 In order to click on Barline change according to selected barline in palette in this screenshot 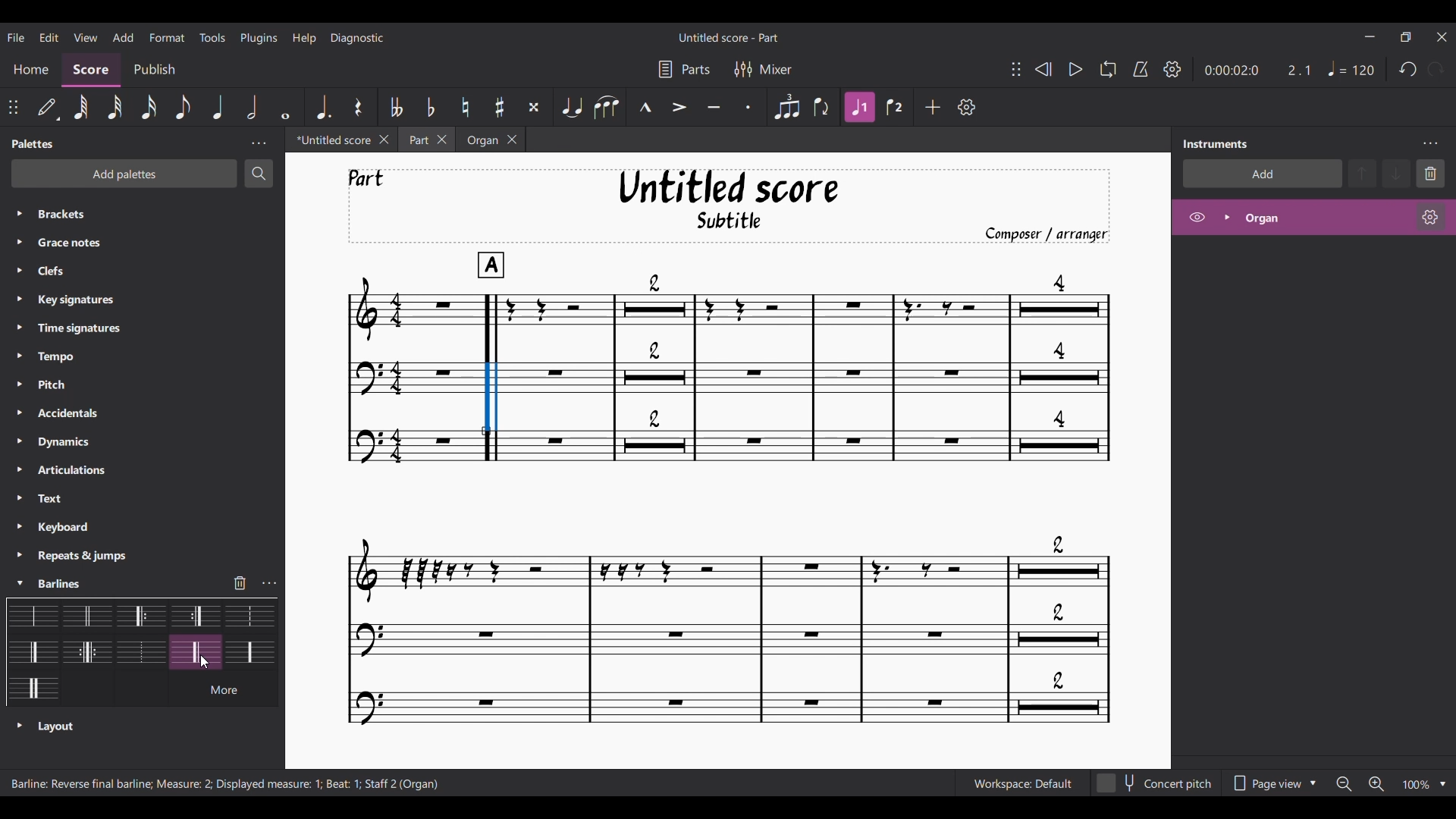, I will do `click(491, 377)`.